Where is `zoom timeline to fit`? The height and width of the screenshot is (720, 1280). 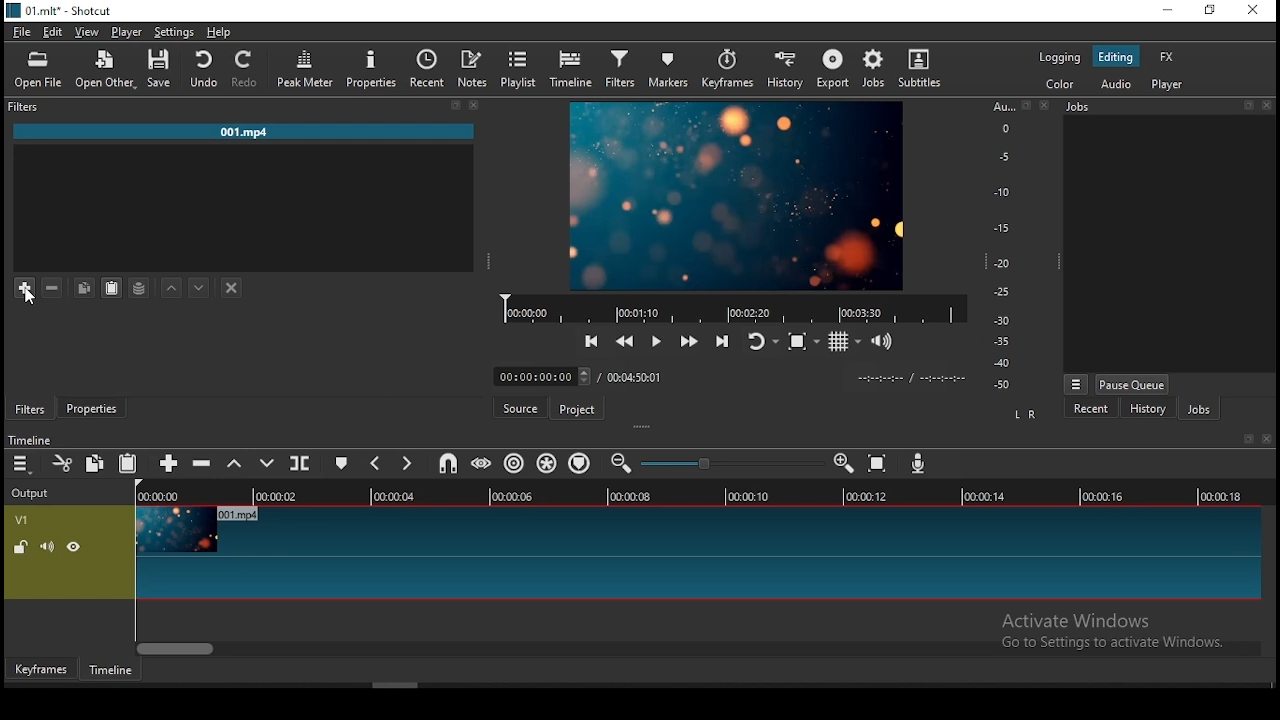 zoom timeline to fit is located at coordinates (881, 463).